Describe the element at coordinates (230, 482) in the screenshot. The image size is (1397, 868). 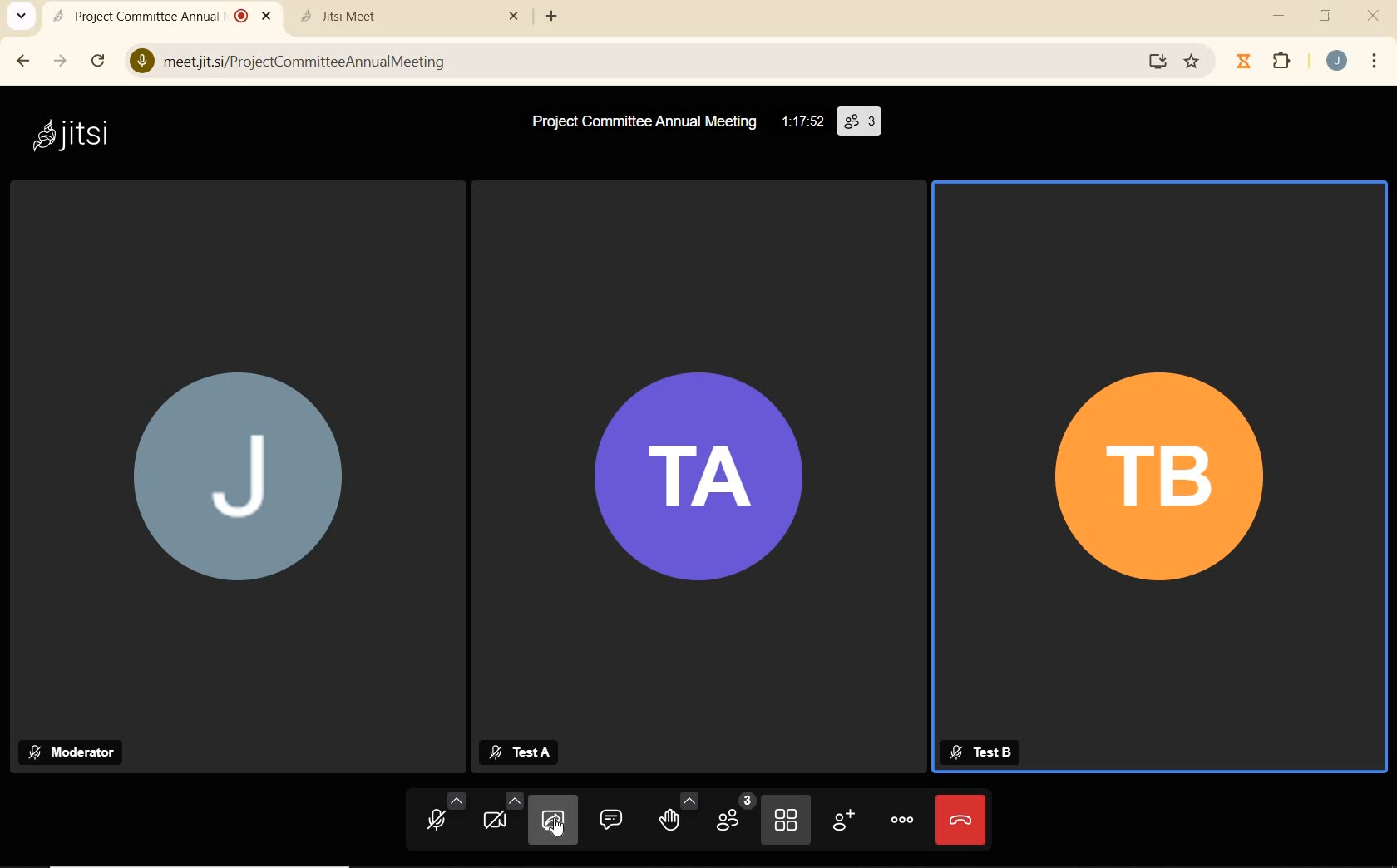
I see `J` at that location.